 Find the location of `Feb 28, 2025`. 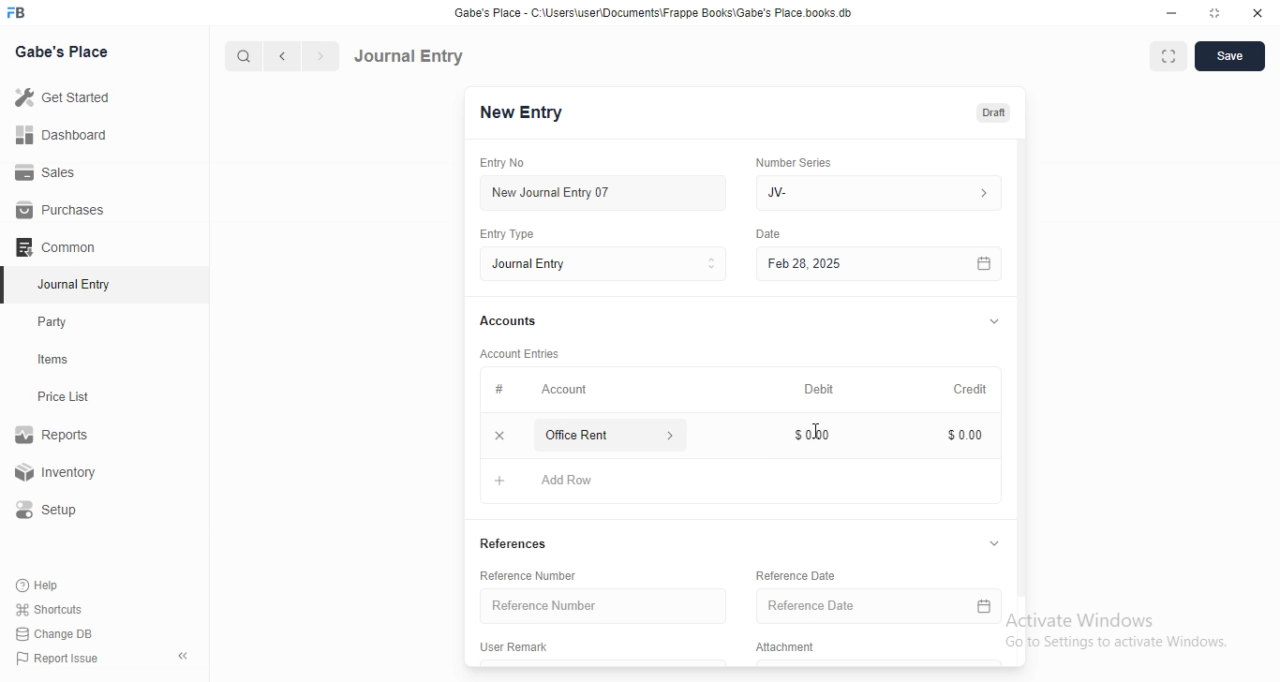

Feb 28, 2025 is located at coordinates (880, 265).